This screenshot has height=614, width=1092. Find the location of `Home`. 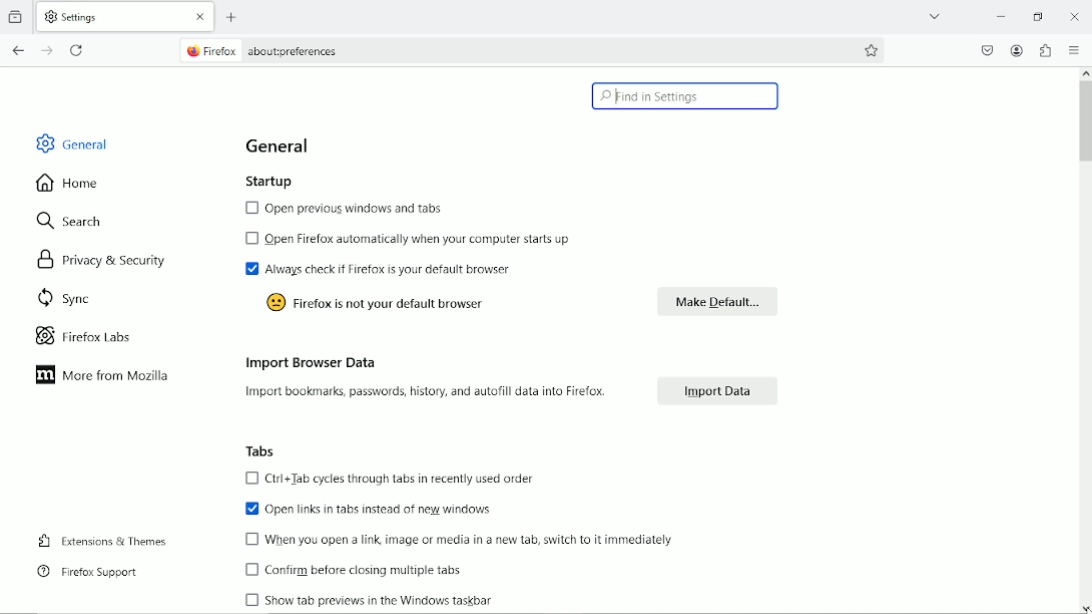

Home is located at coordinates (76, 182).